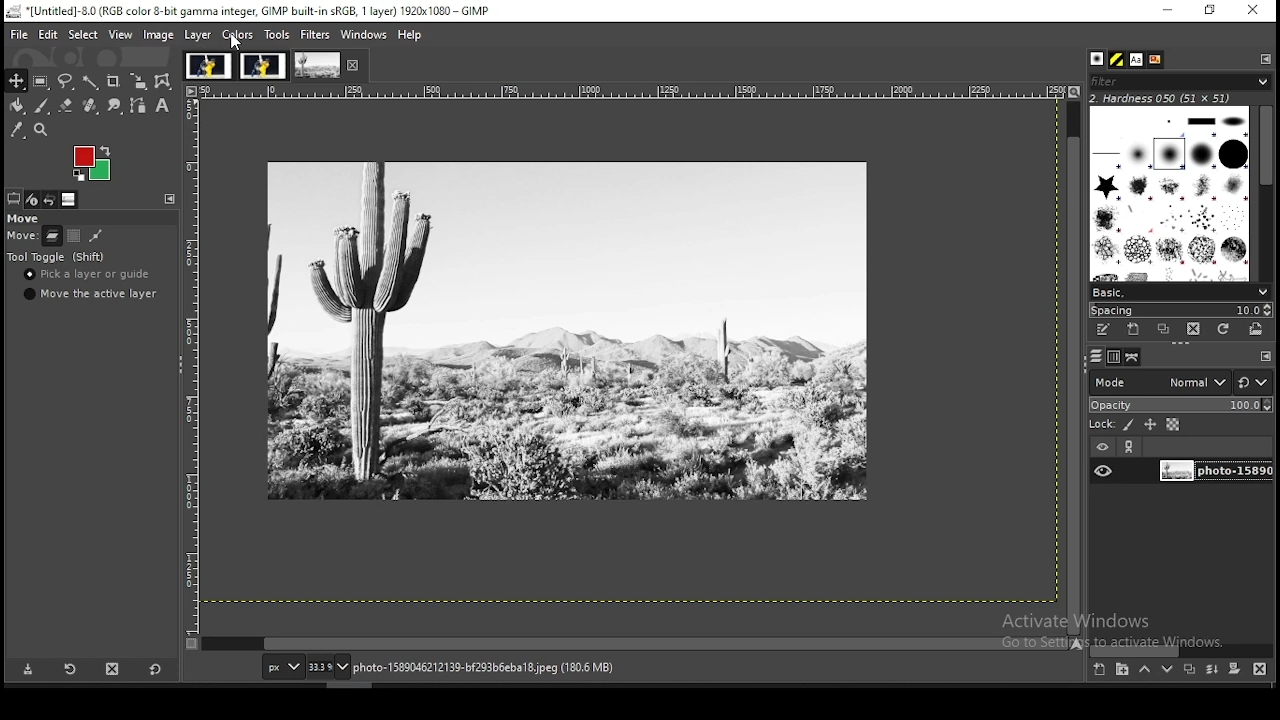 This screenshot has width=1280, height=720. I want to click on configure this pane, so click(1264, 356).